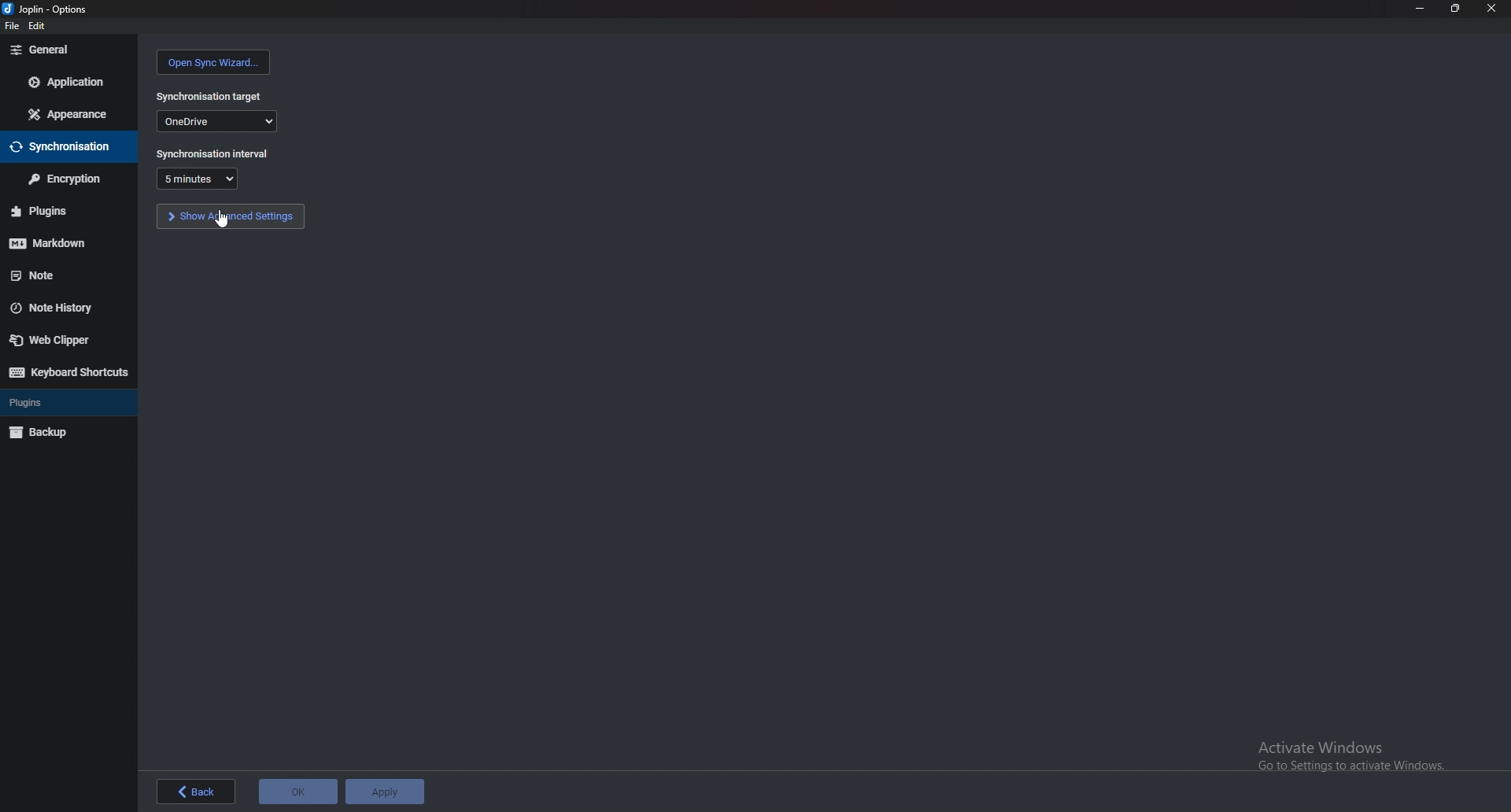 The height and width of the screenshot is (812, 1511). I want to click on synchronisation, so click(65, 147).